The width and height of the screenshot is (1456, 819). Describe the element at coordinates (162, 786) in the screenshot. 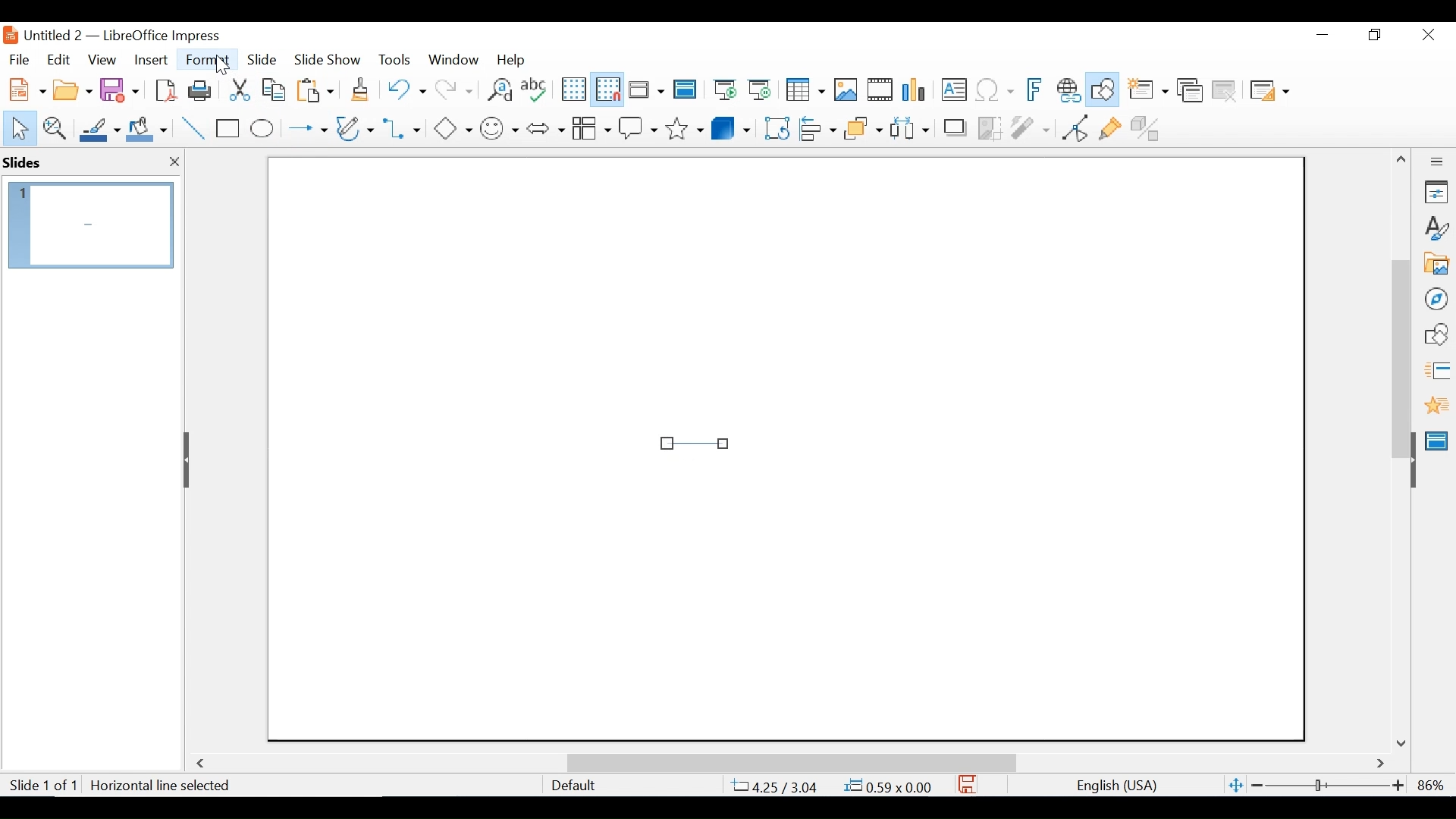

I see `Horizontal line Selected` at that location.